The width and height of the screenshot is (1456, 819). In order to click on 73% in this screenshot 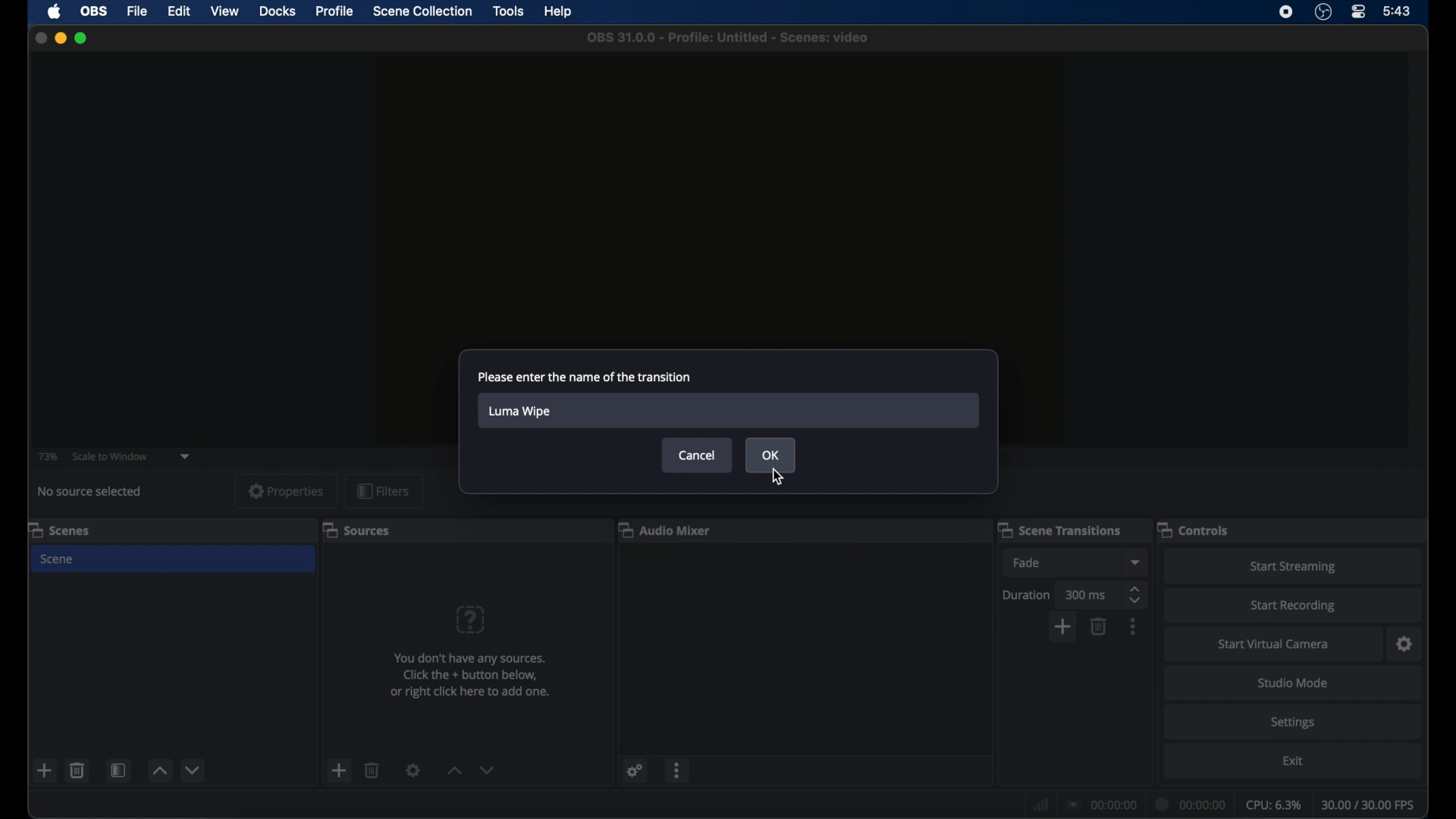, I will do `click(47, 457)`.